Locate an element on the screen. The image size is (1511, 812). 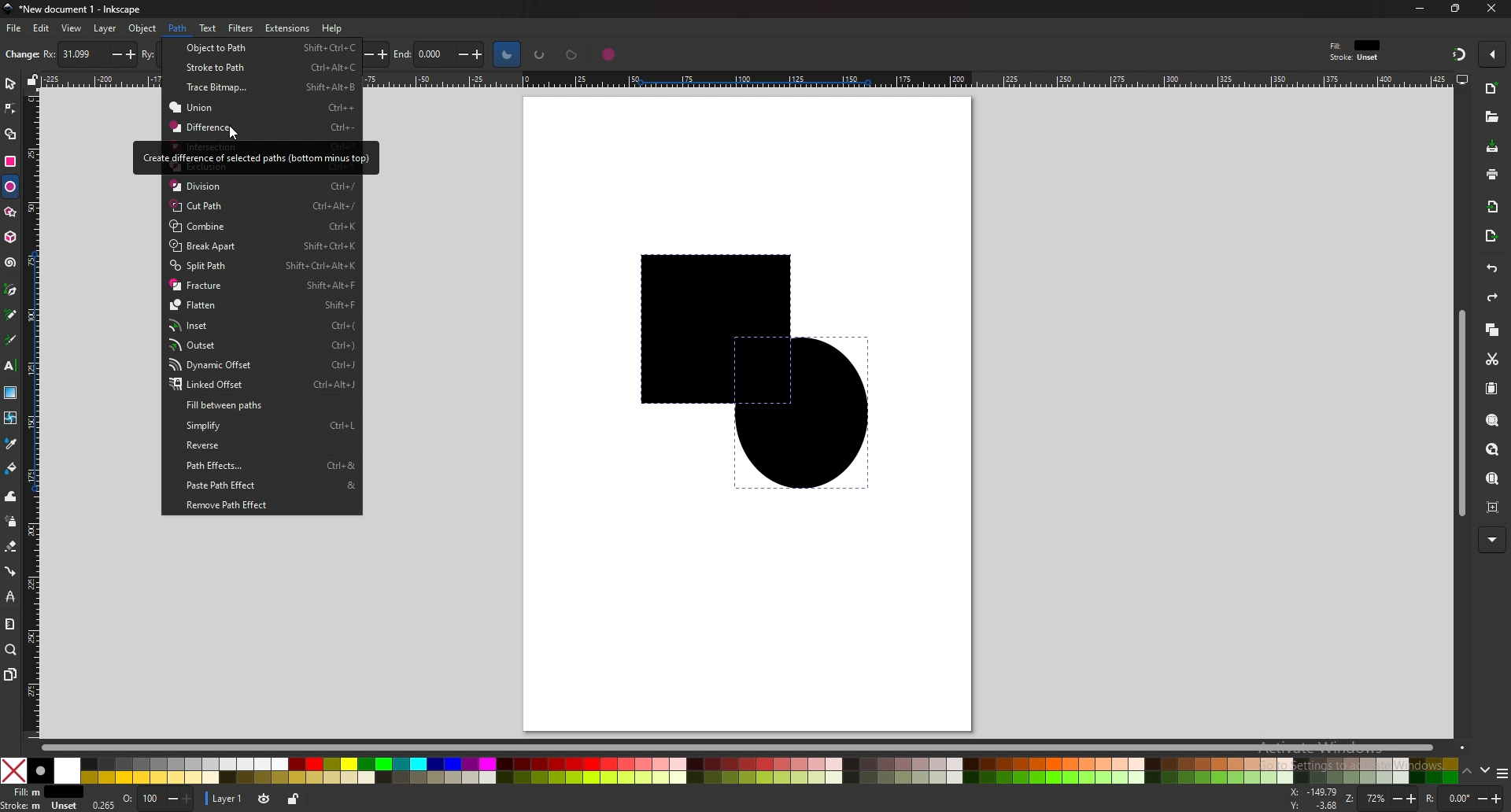
edit is located at coordinates (42, 29).